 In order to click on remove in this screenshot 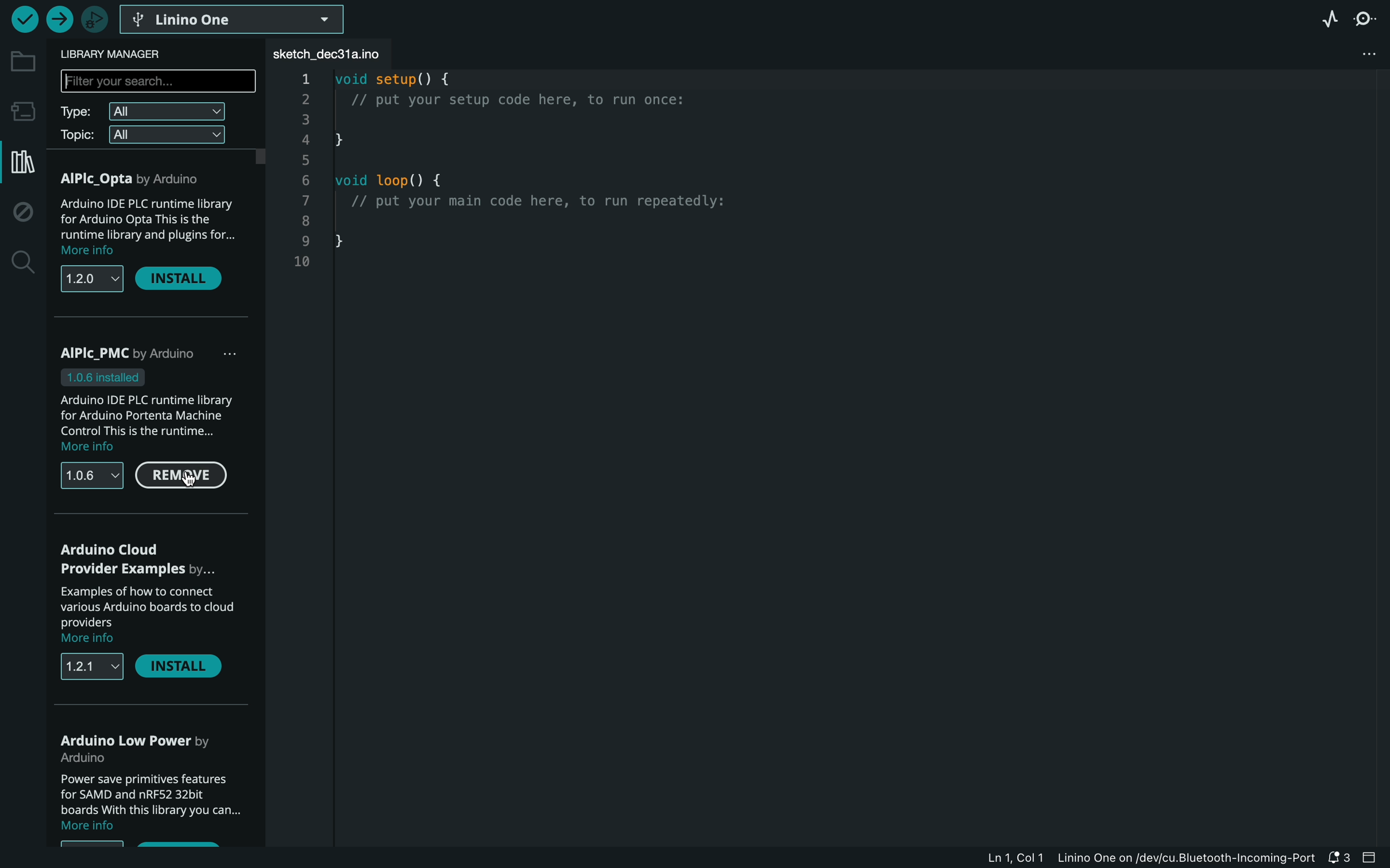, I will do `click(186, 476)`.